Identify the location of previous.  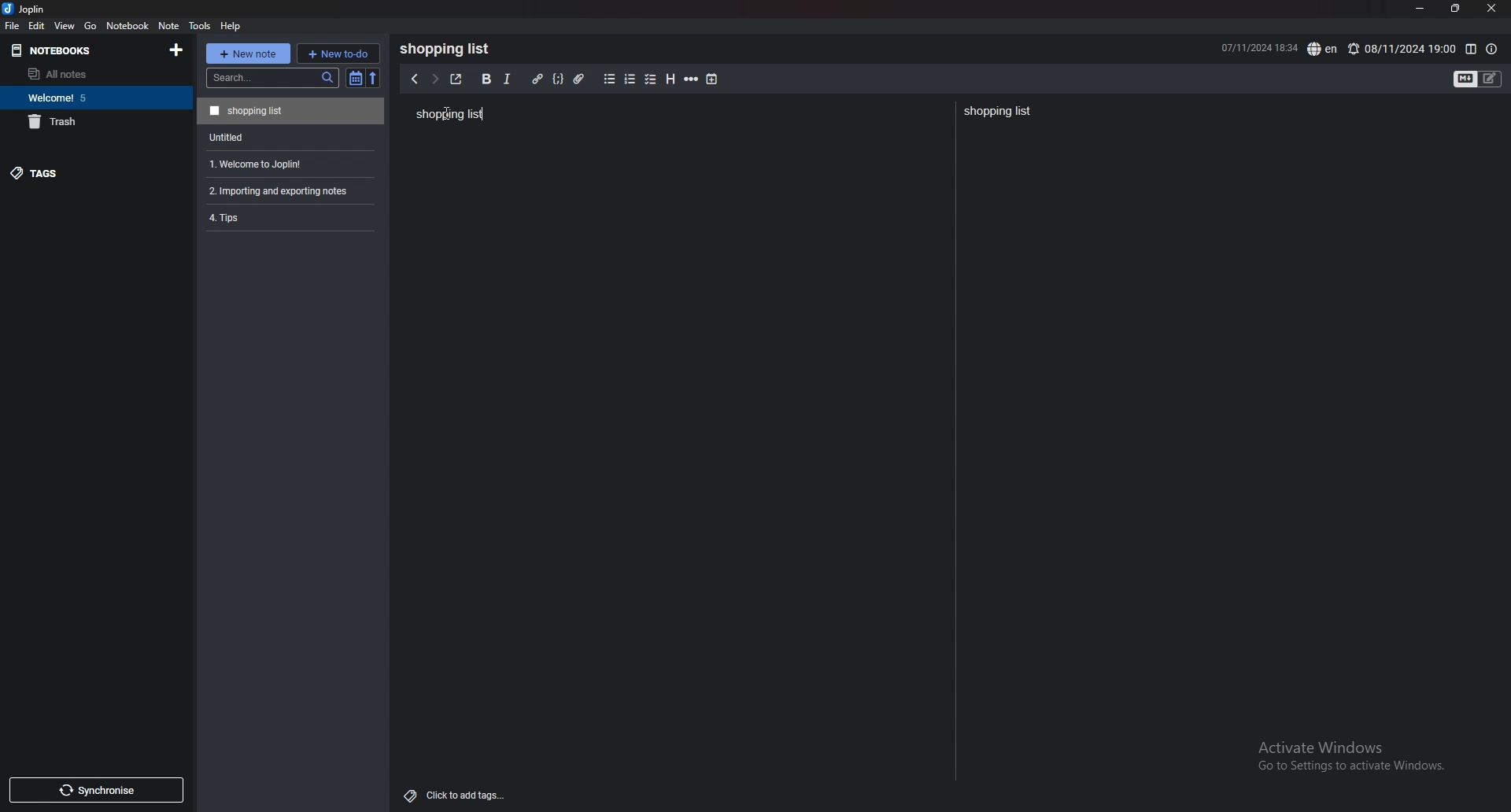
(413, 79).